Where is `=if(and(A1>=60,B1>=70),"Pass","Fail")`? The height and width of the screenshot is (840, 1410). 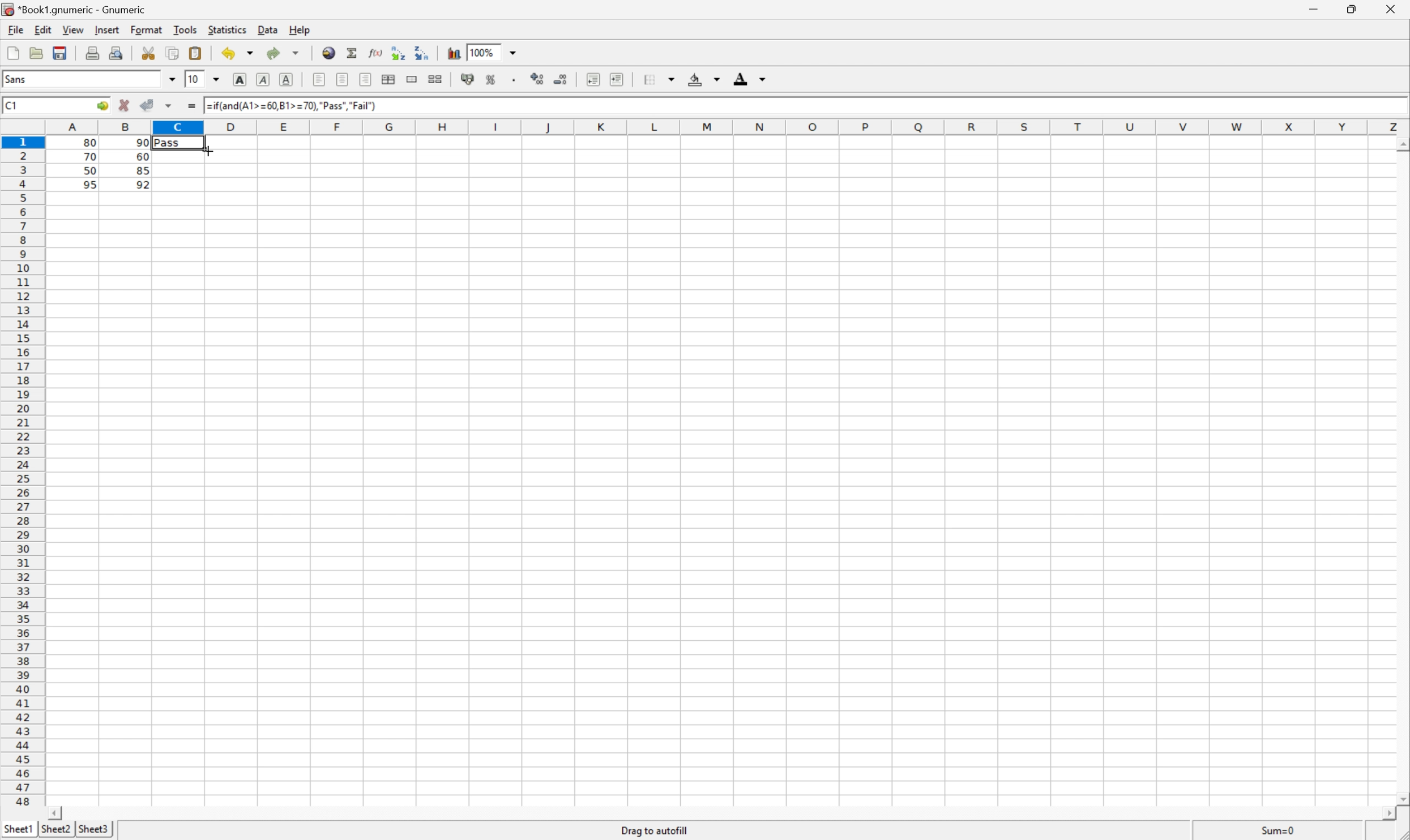
=if(and(A1>=60,B1>=70),"Pass","Fail") is located at coordinates (300, 106).